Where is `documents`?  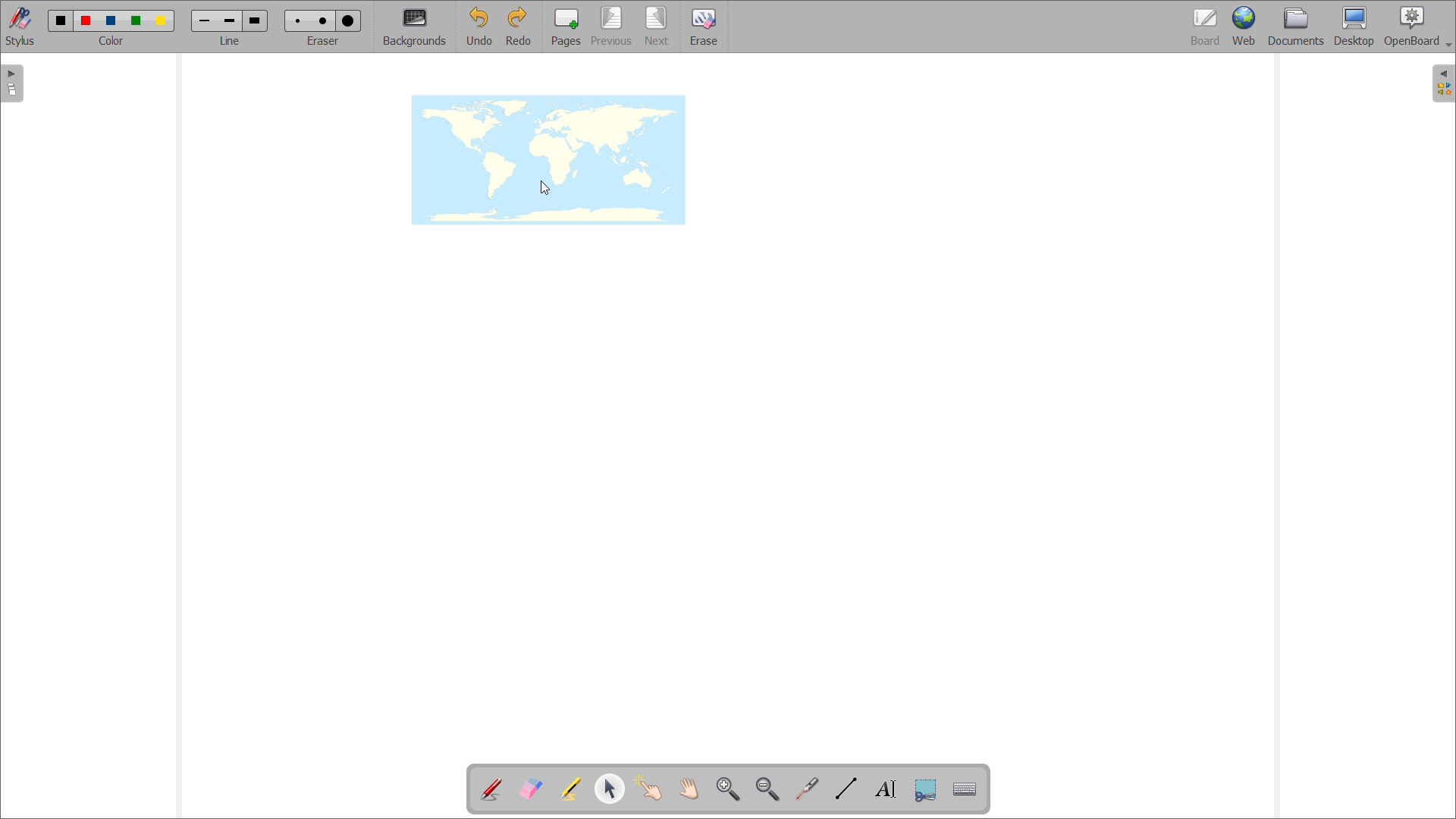 documents is located at coordinates (1298, 27).